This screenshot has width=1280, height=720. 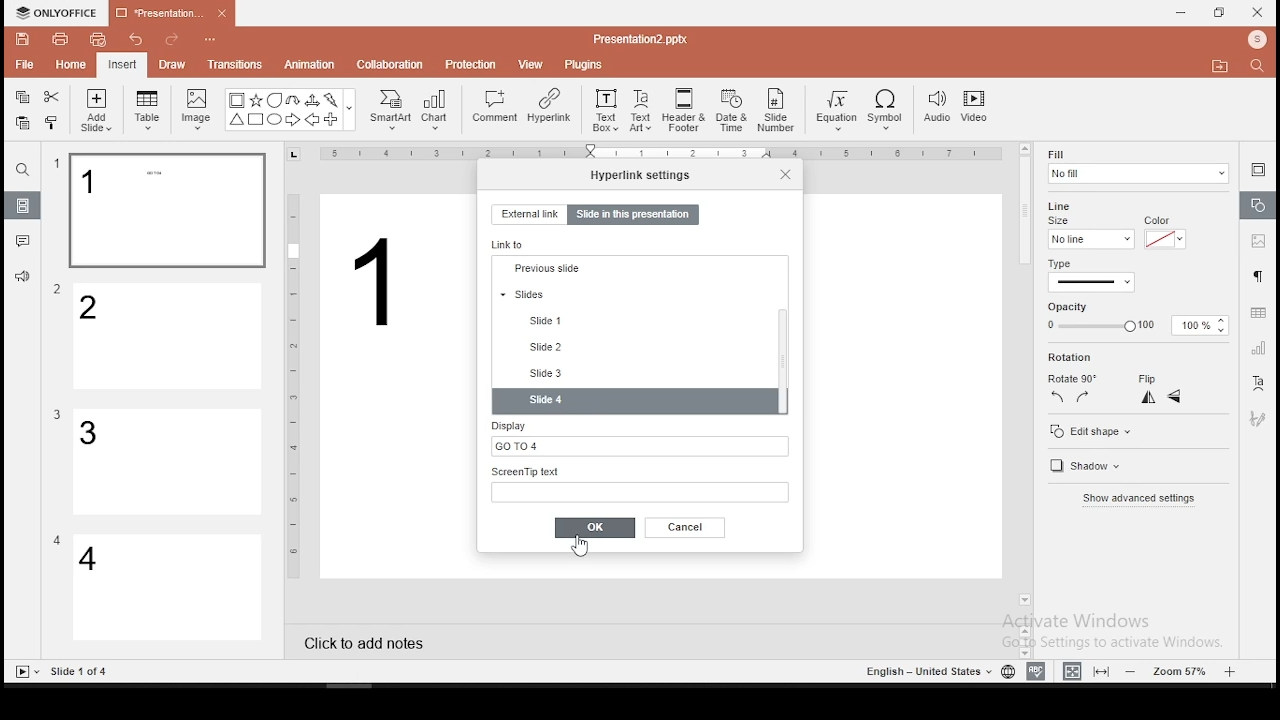 I want to click on find, so click(x=22, y=170).